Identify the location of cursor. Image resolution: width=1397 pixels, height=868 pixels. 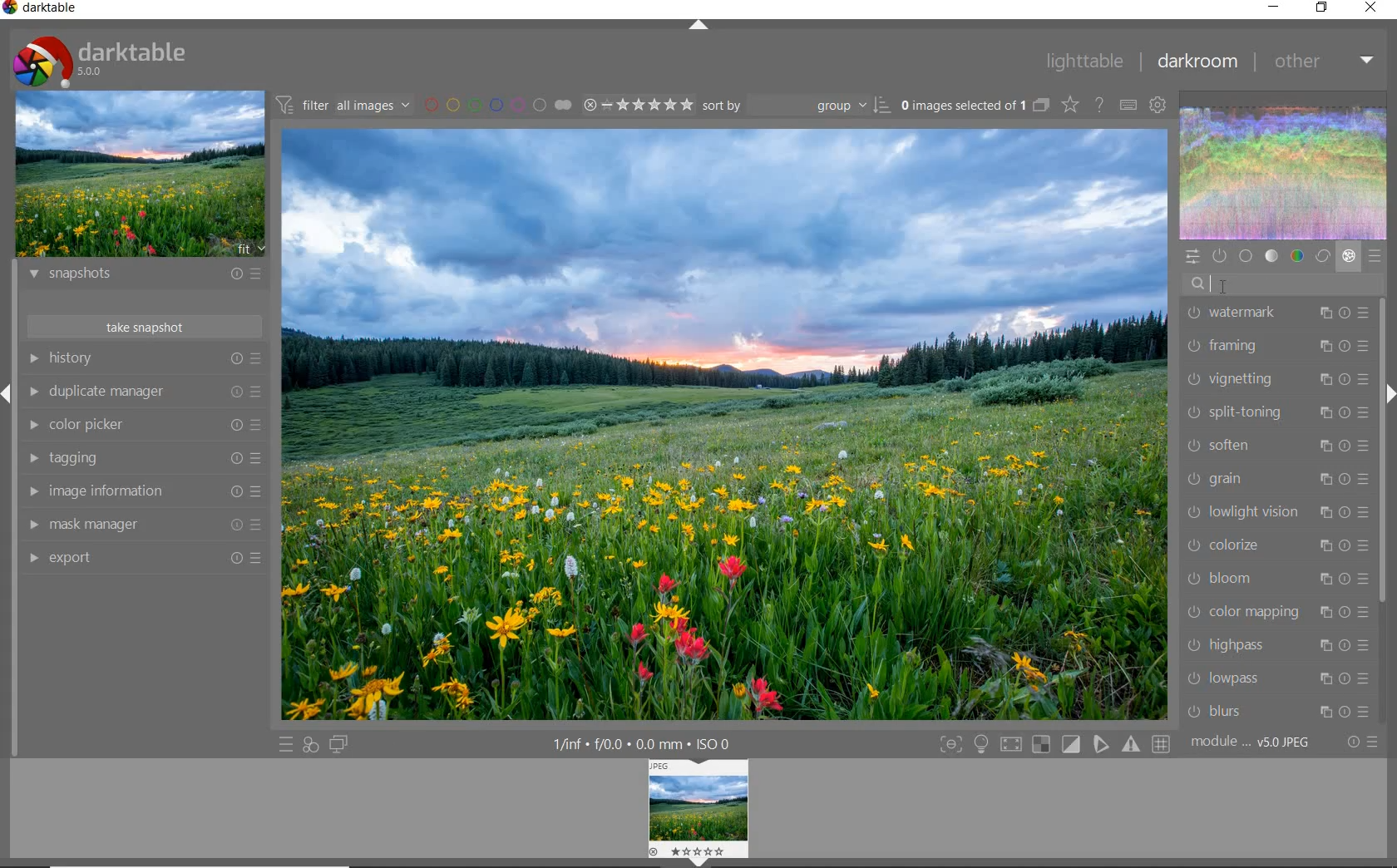
(1225, 287).